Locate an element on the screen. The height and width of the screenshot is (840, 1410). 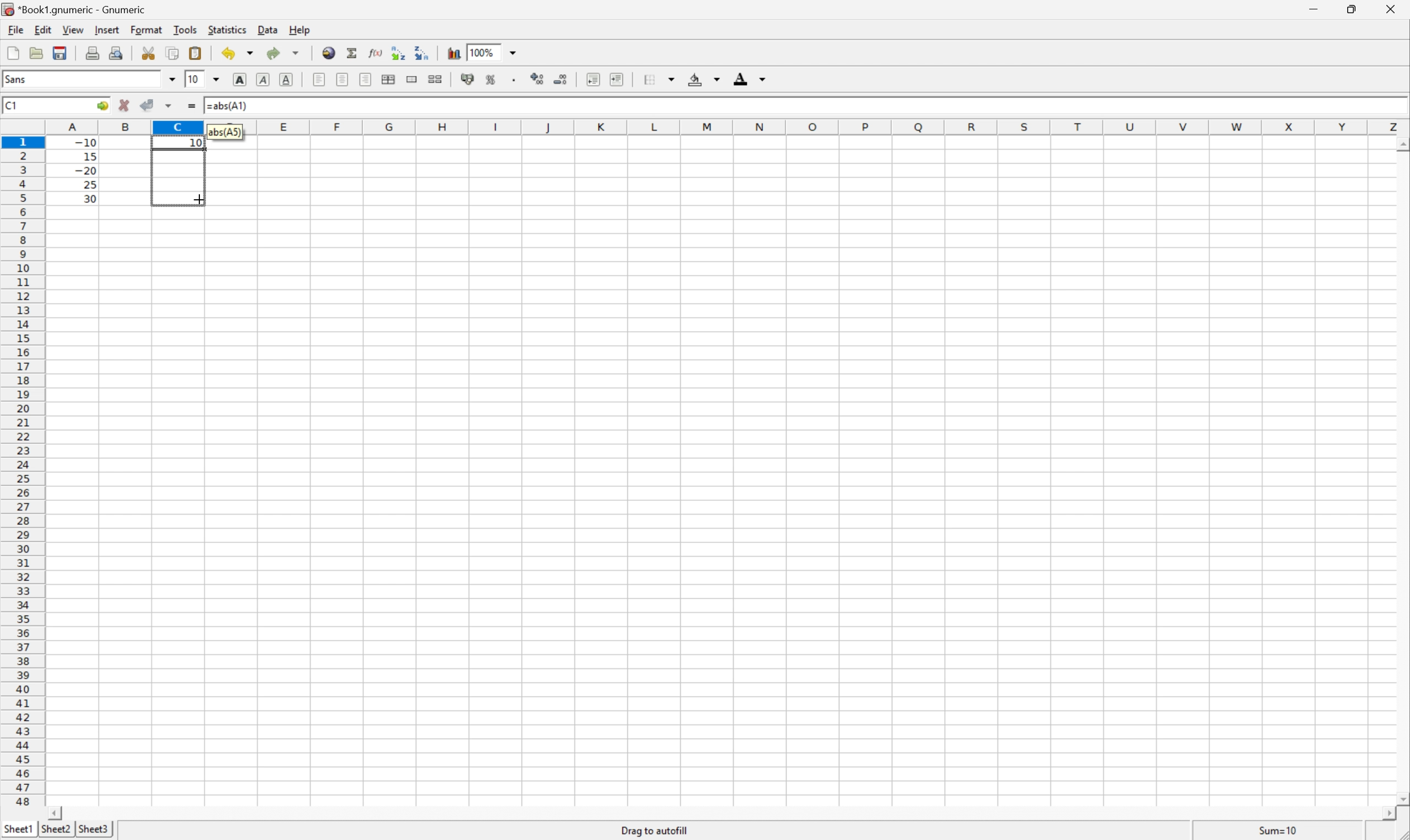
Drop Down is located at coordinates (171, 79).